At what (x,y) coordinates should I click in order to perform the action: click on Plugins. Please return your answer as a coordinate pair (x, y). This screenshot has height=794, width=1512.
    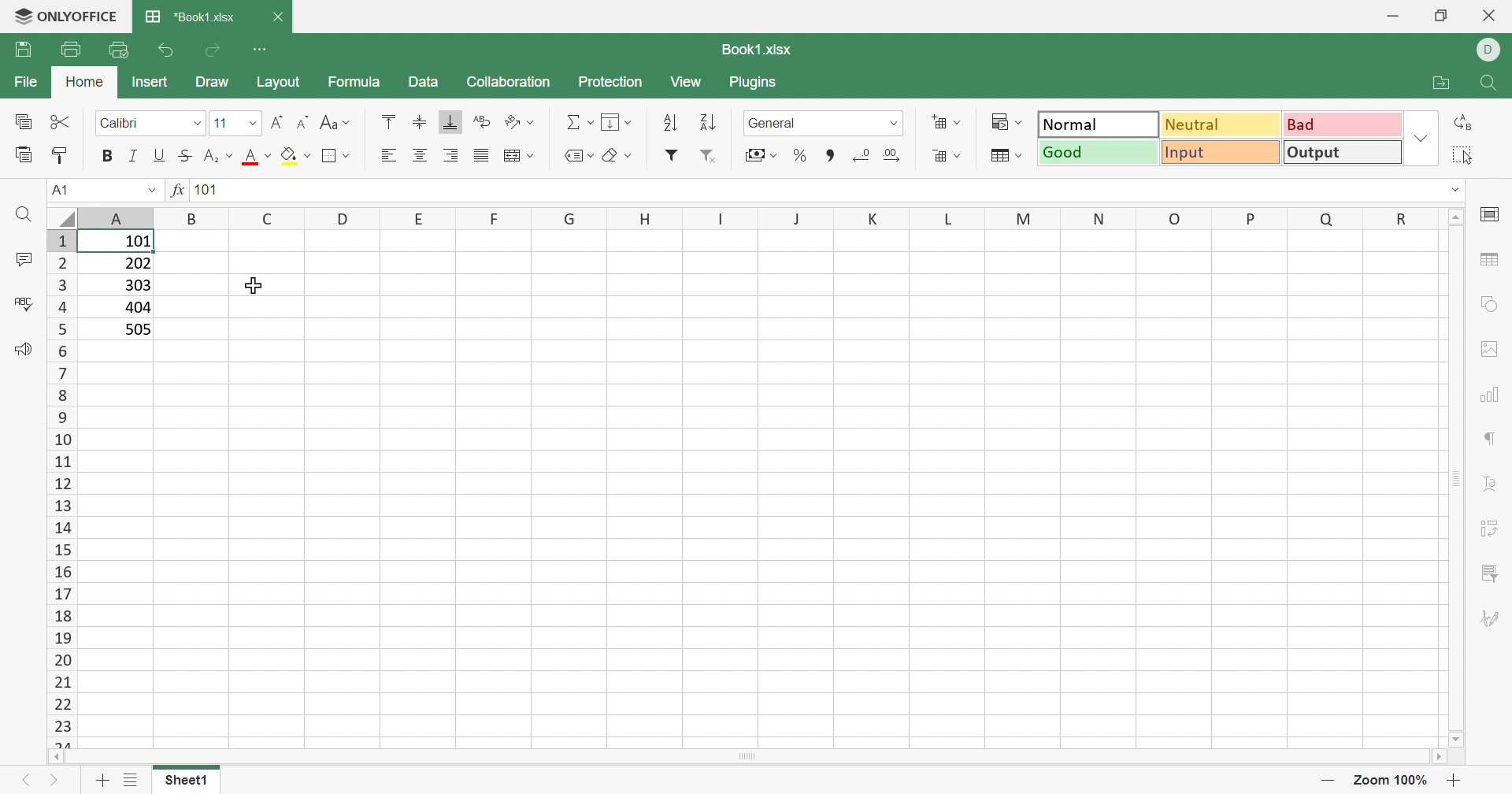
    Looking at the image, I should click on (760, 83).